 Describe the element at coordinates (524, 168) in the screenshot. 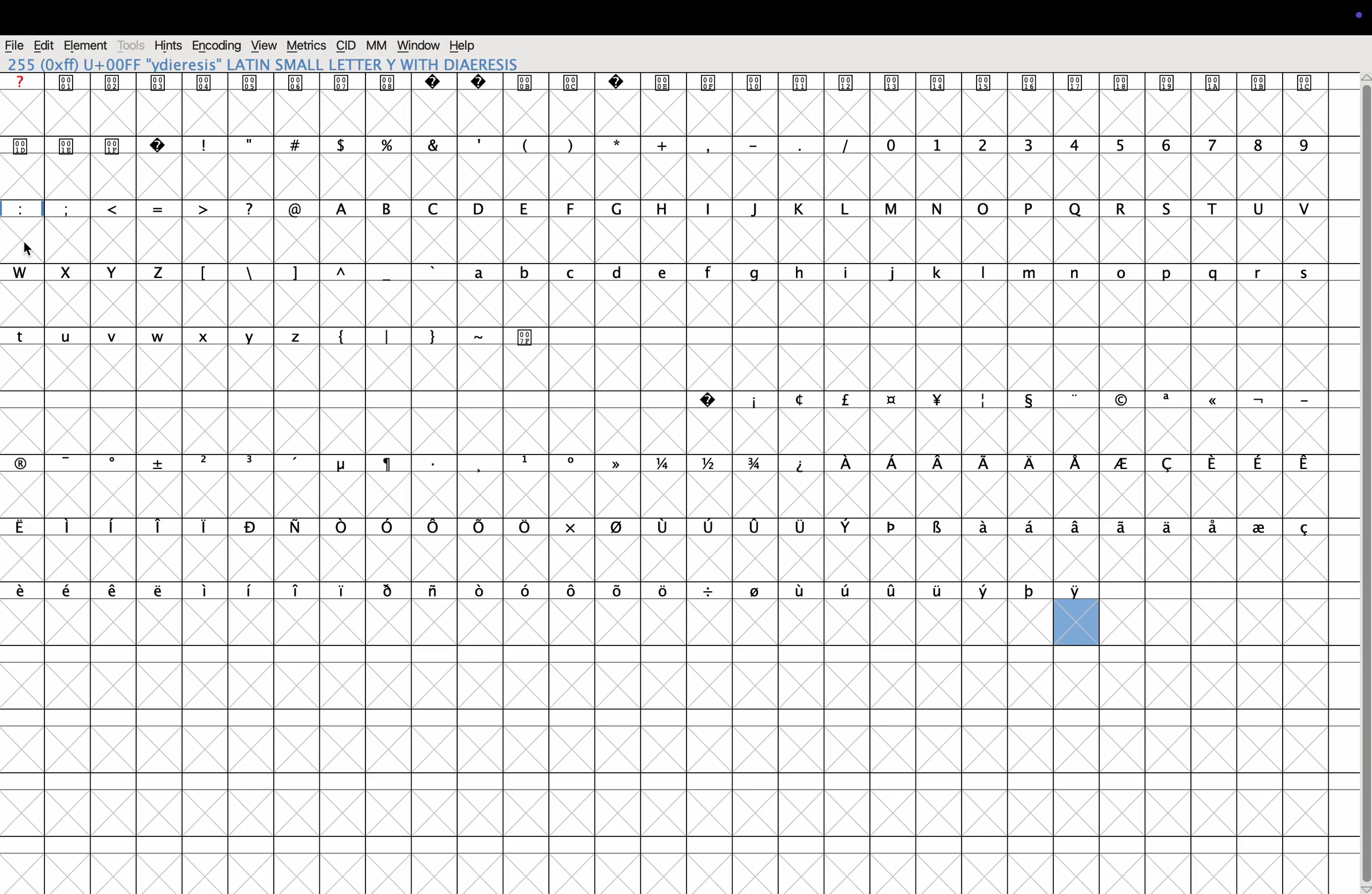

I see `(` at that location.